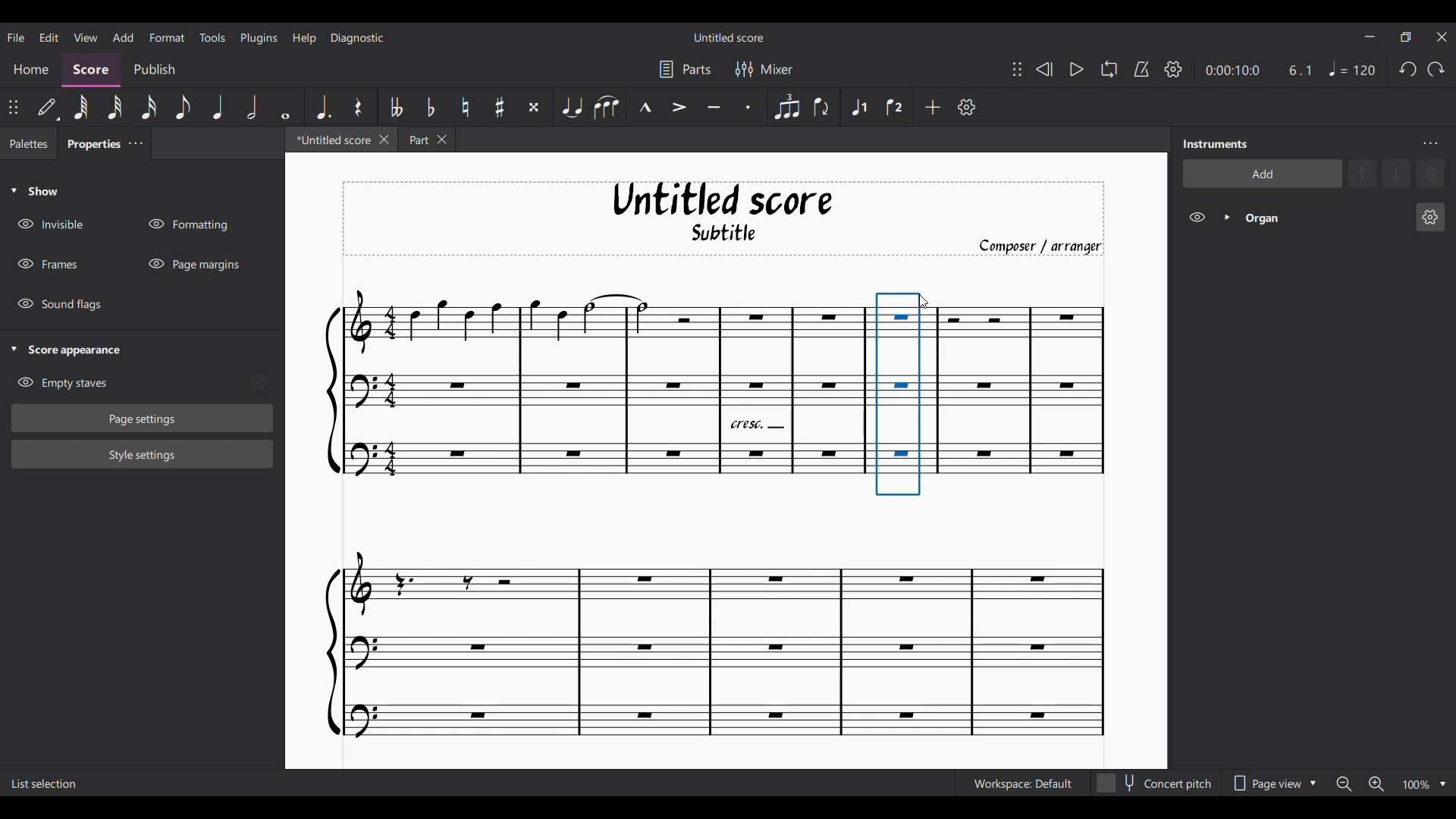 This screenshot has width=1456, height=819. I want to click on Description of current selection, so click(47, 783).